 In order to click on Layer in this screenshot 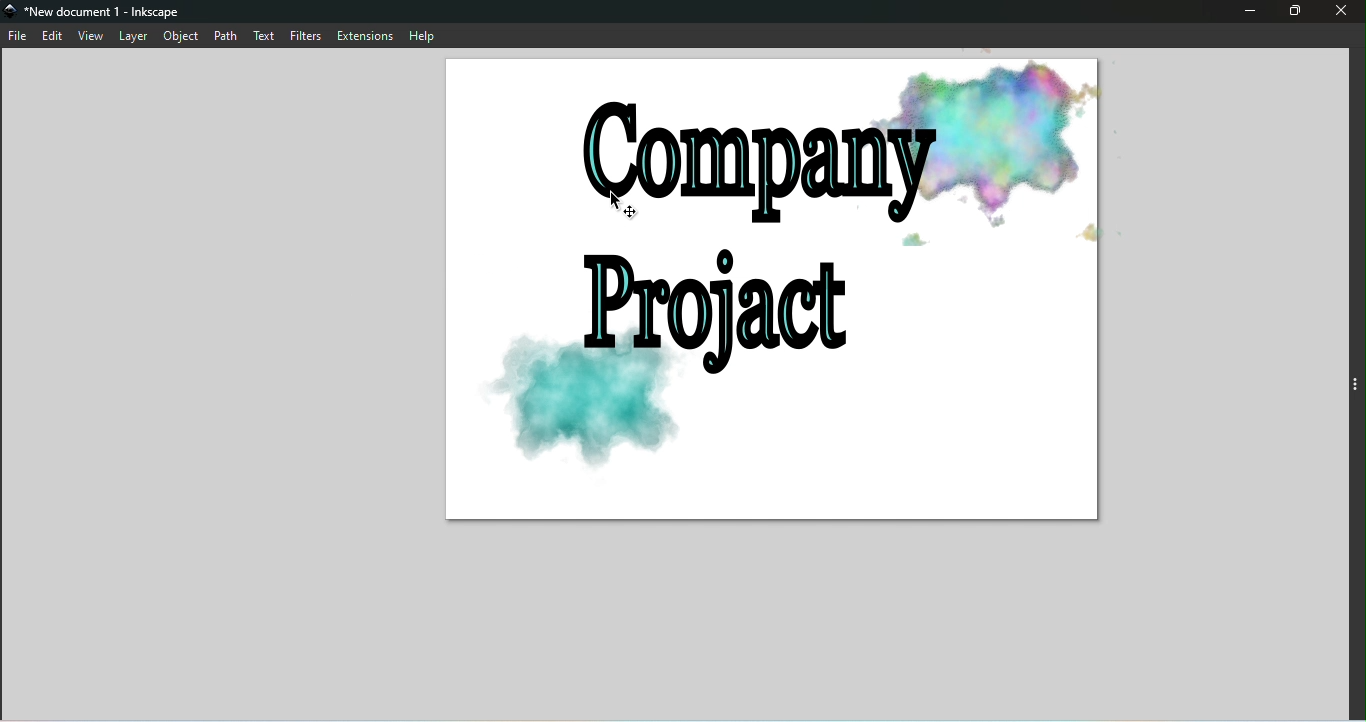, I will do `click(133, 37)`.